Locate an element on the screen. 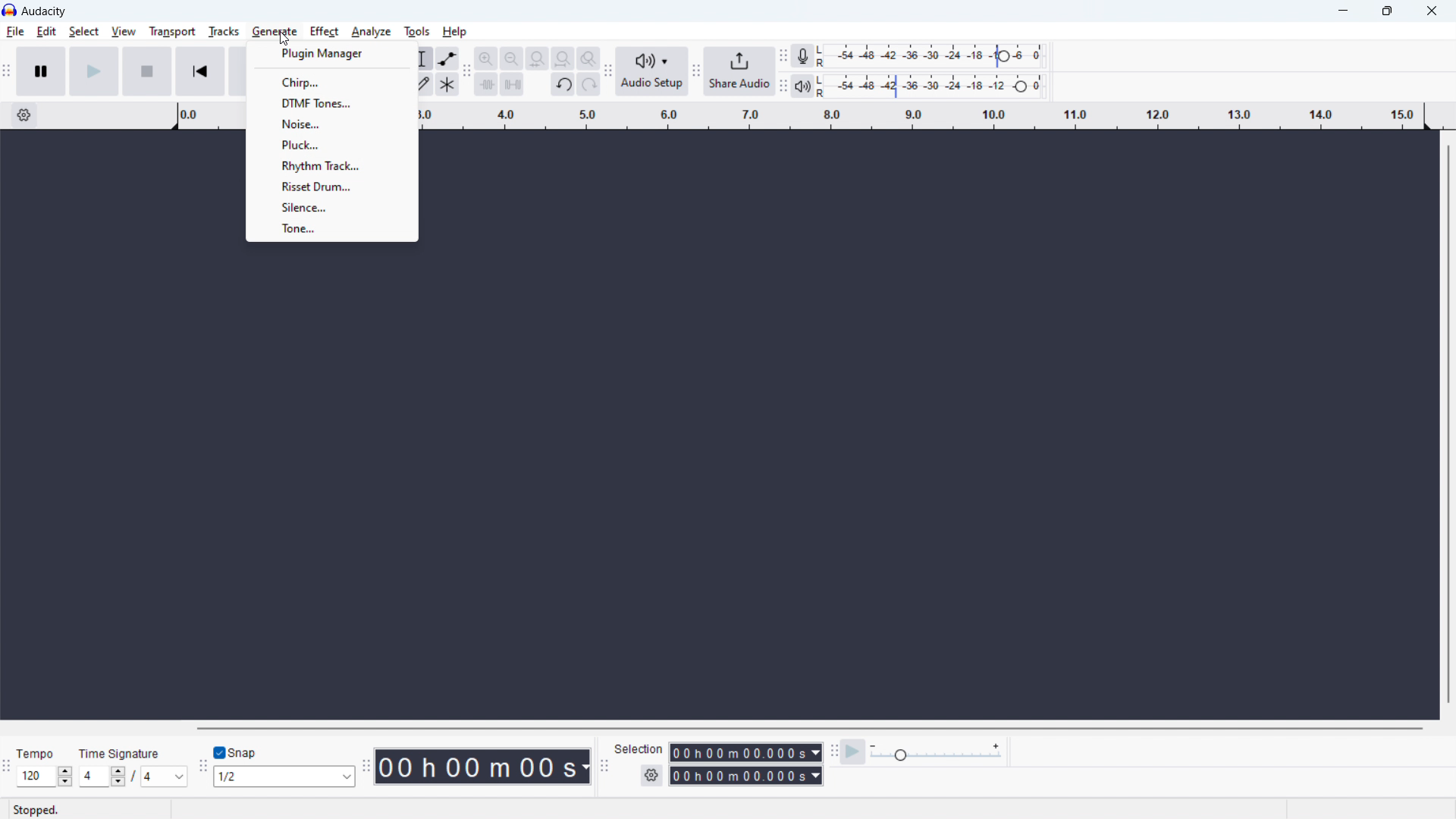  pause is located at coordinates (39, 71).